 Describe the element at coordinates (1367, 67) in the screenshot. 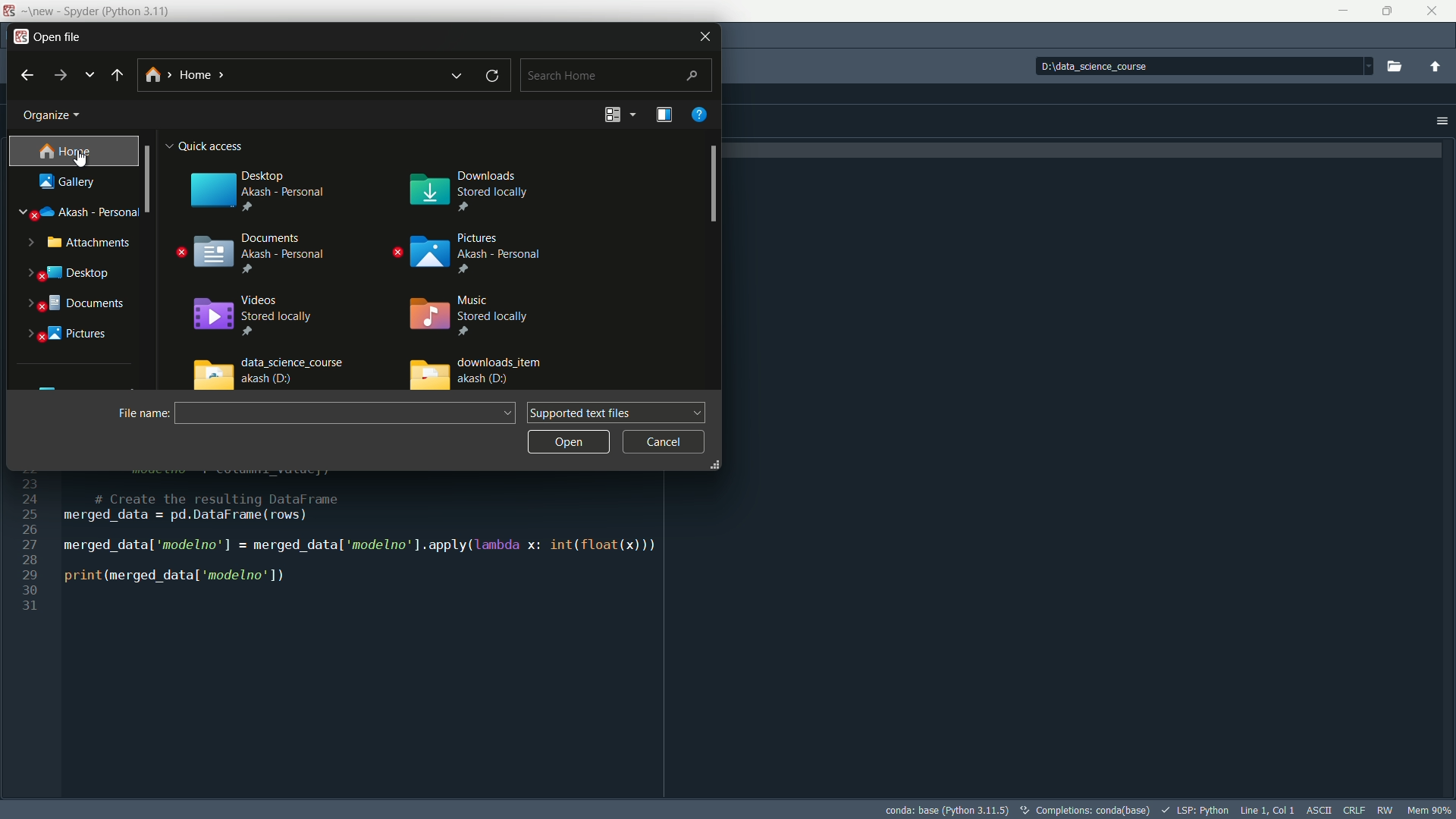

I see `Dropdown` at that location.